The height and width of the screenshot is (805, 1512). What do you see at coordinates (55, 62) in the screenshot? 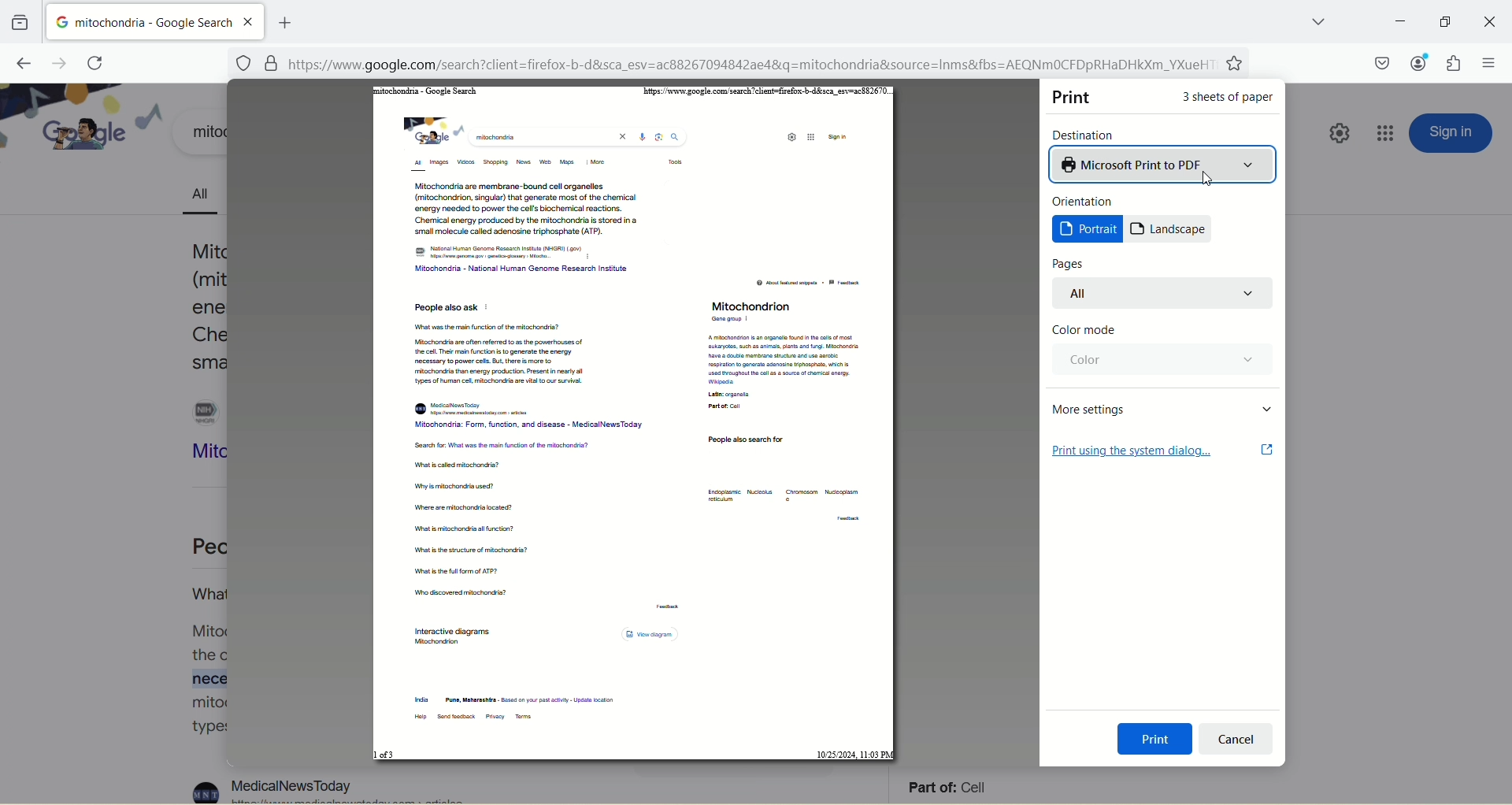
I see `go forward one page` at bounding box center [55, 62].